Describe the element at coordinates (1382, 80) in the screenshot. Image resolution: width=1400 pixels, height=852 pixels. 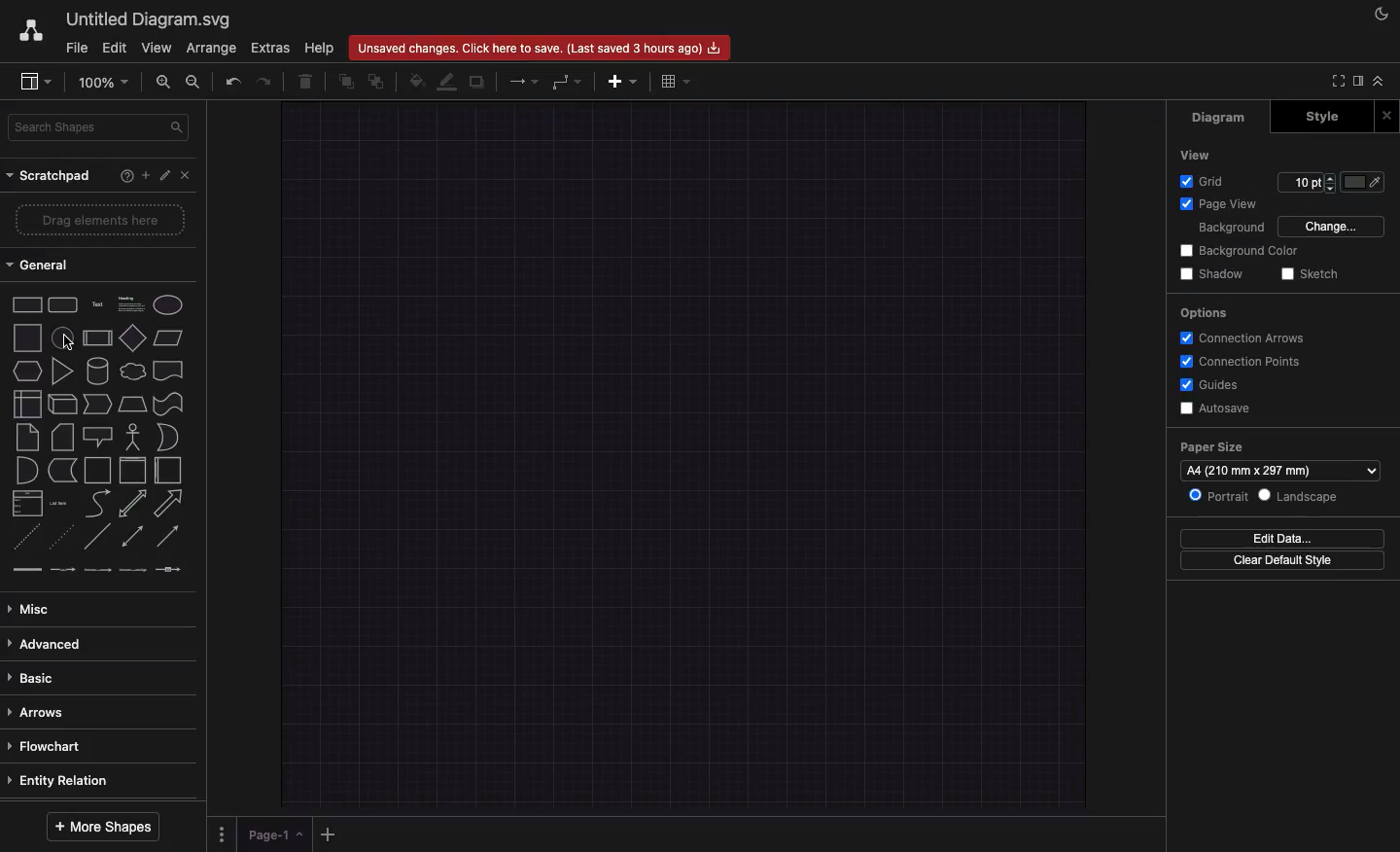
I see `Collapse` at that location.